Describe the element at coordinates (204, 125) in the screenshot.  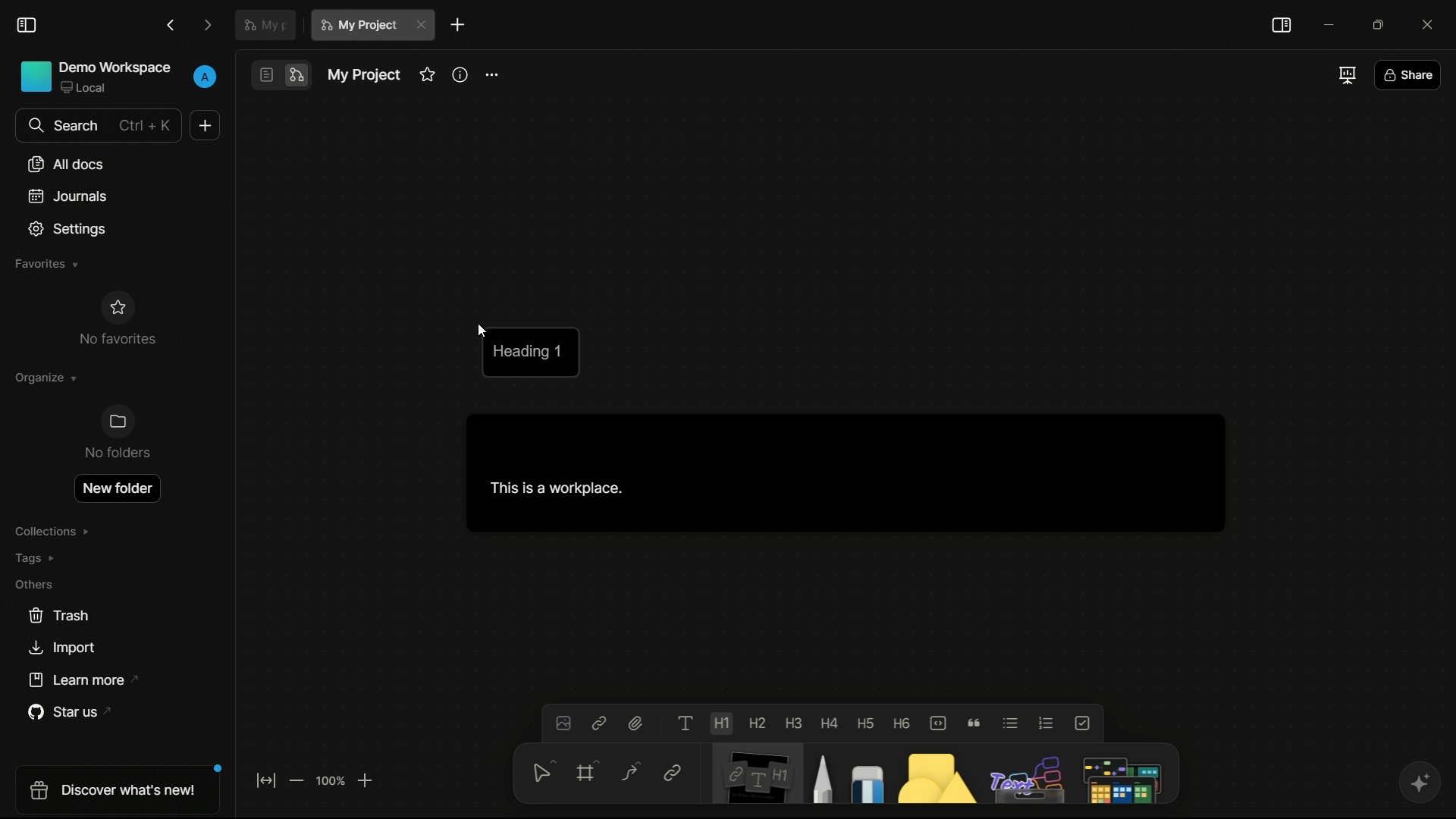
I see `new document` at that location.